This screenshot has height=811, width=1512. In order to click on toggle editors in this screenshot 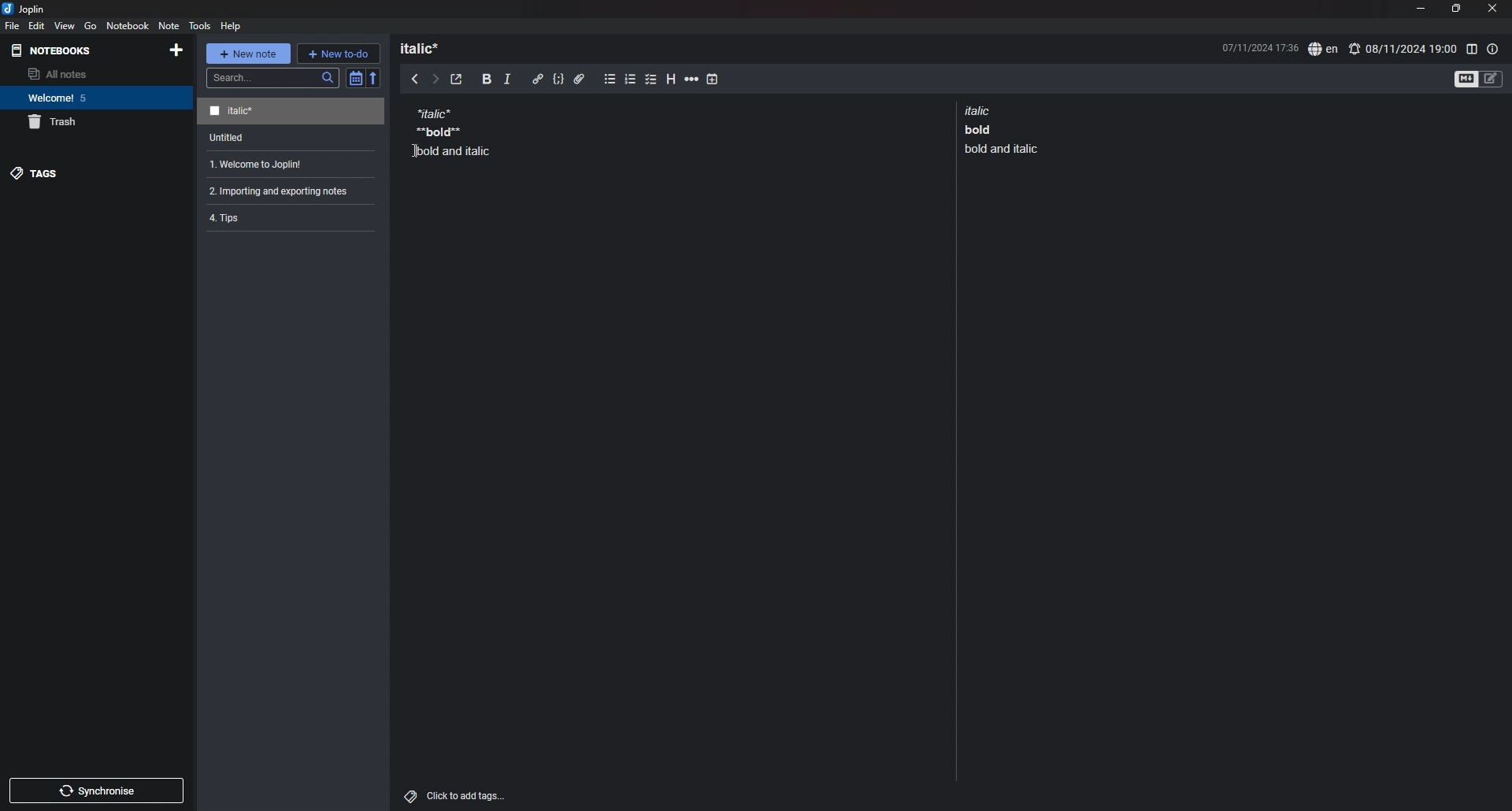, I will do `click(1479, 78)`.